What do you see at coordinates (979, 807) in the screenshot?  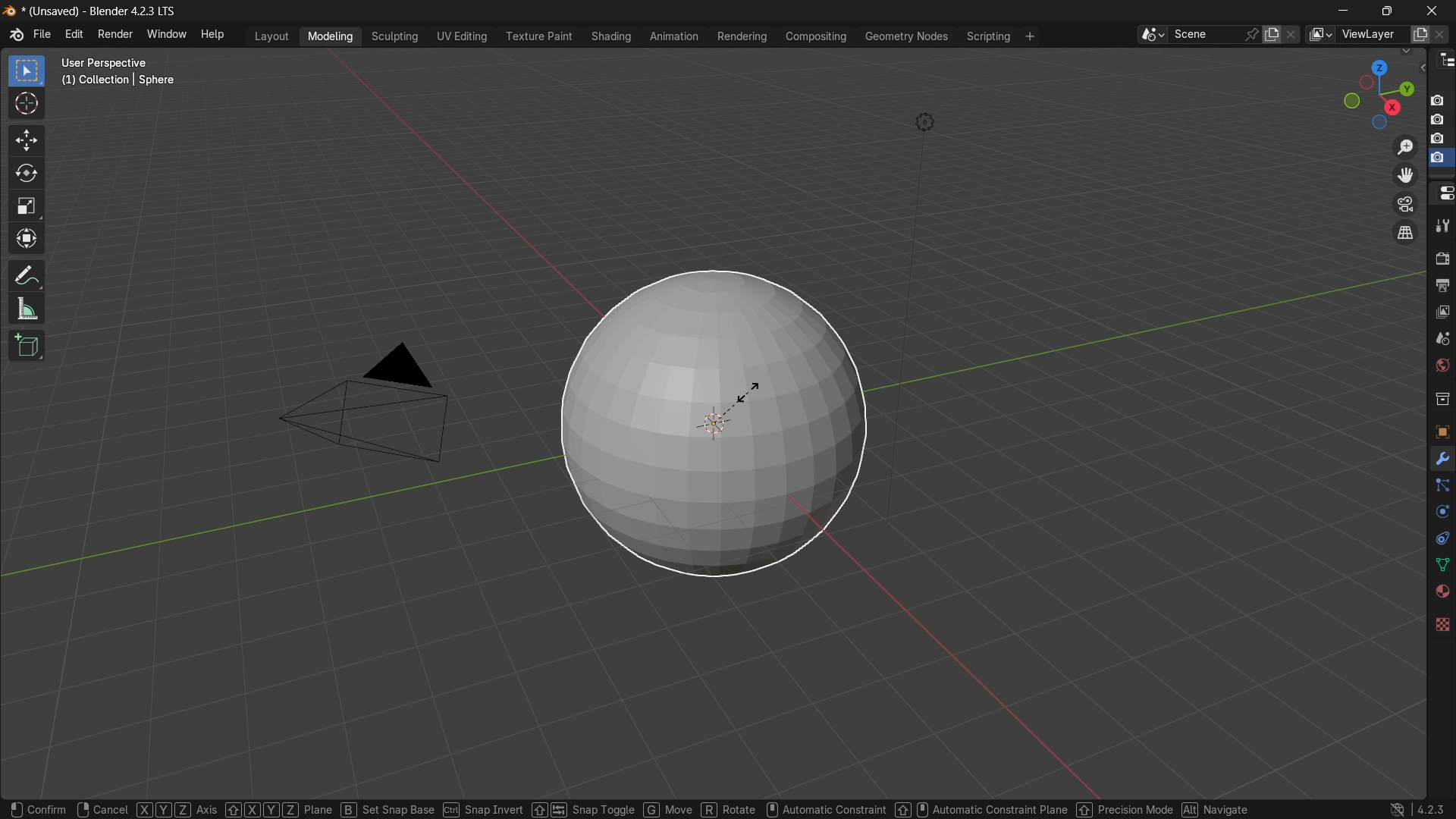 I see `automatic constraint plane` at bounding box center [979, 807].